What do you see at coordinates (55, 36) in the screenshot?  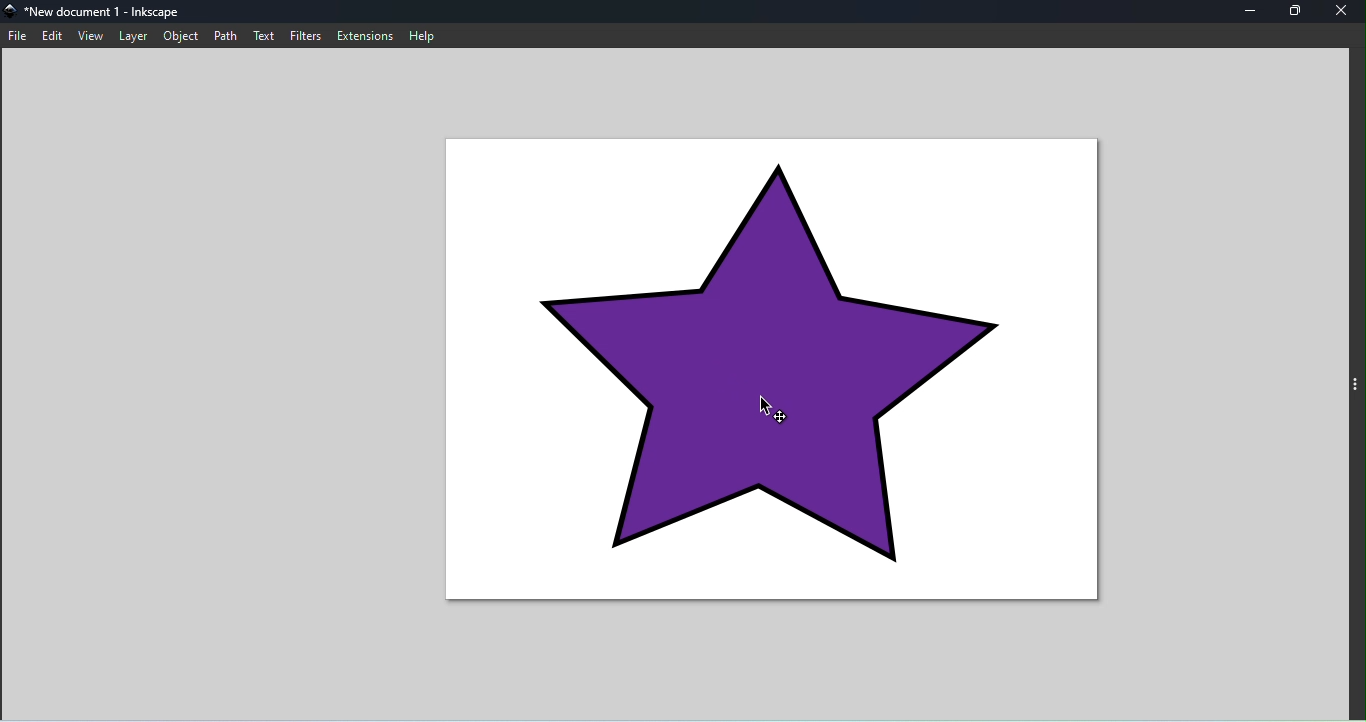 I see `edit` at bounding box center [55, 36].